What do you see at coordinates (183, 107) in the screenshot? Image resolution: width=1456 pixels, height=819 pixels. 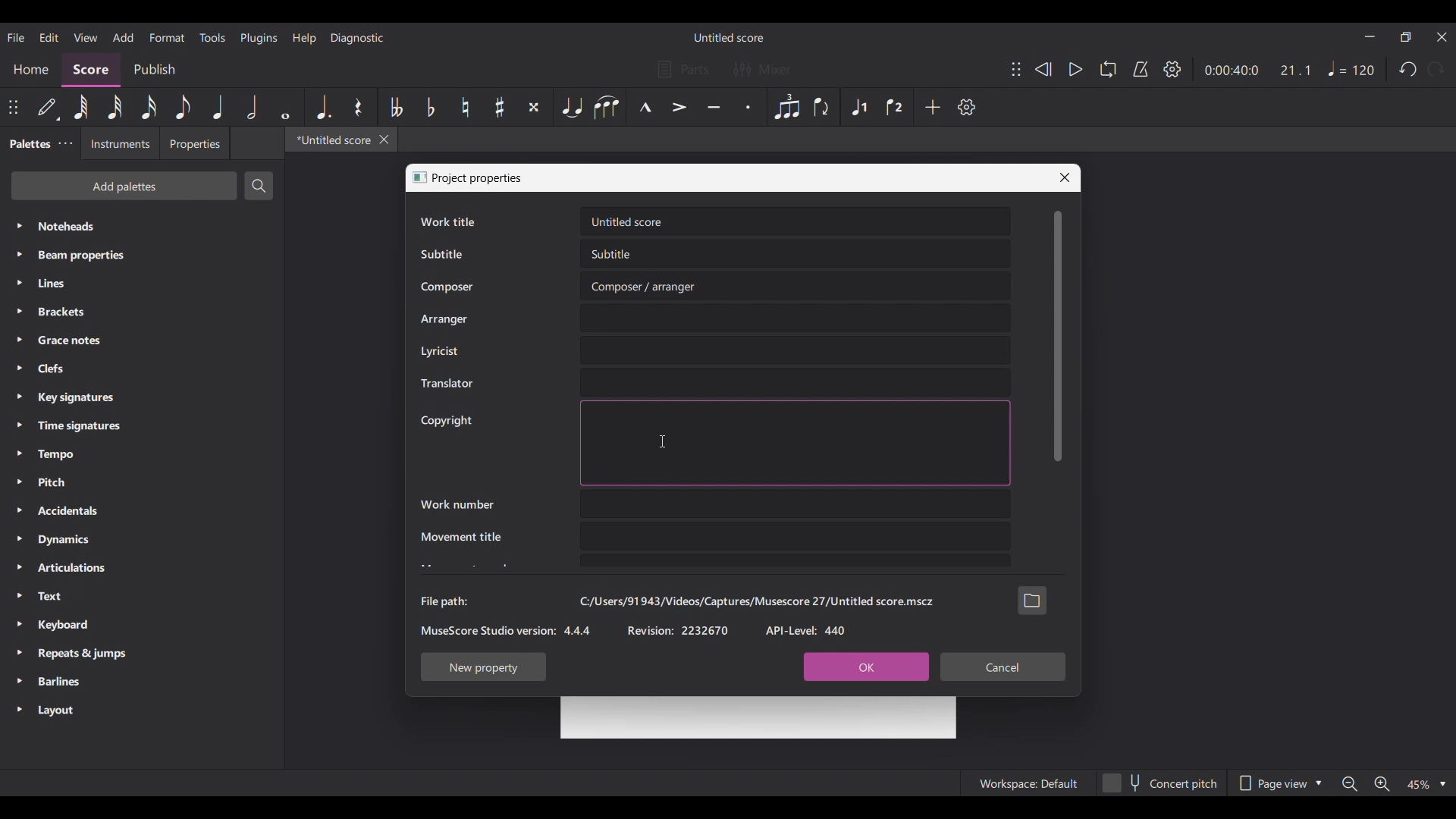 I see `8th note` at bounding box center [183, 107].